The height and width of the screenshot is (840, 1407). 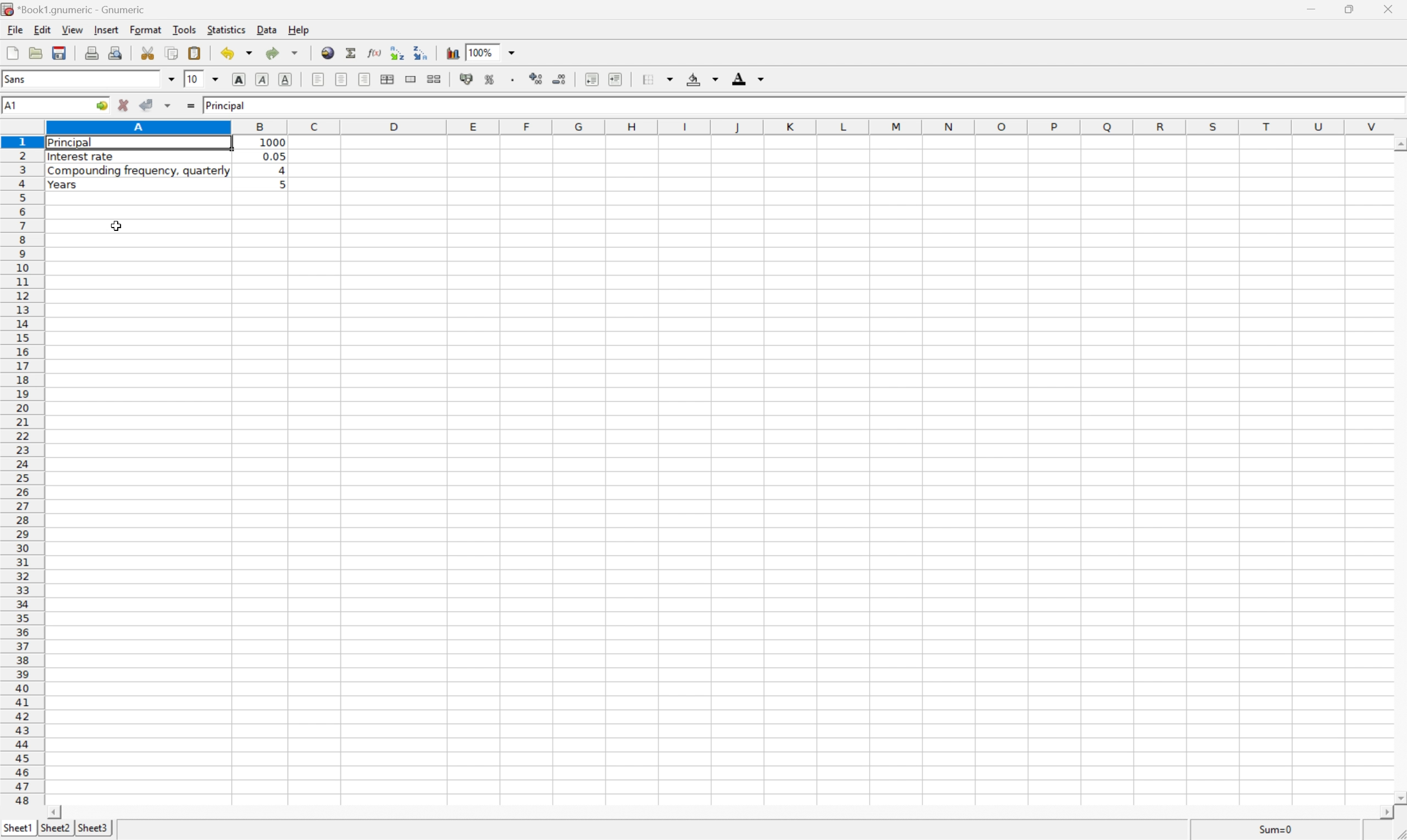 What do you see at coordinates (62, 53) in the screenshot?
I see `save current workbook` at bounding box center [62, 53].